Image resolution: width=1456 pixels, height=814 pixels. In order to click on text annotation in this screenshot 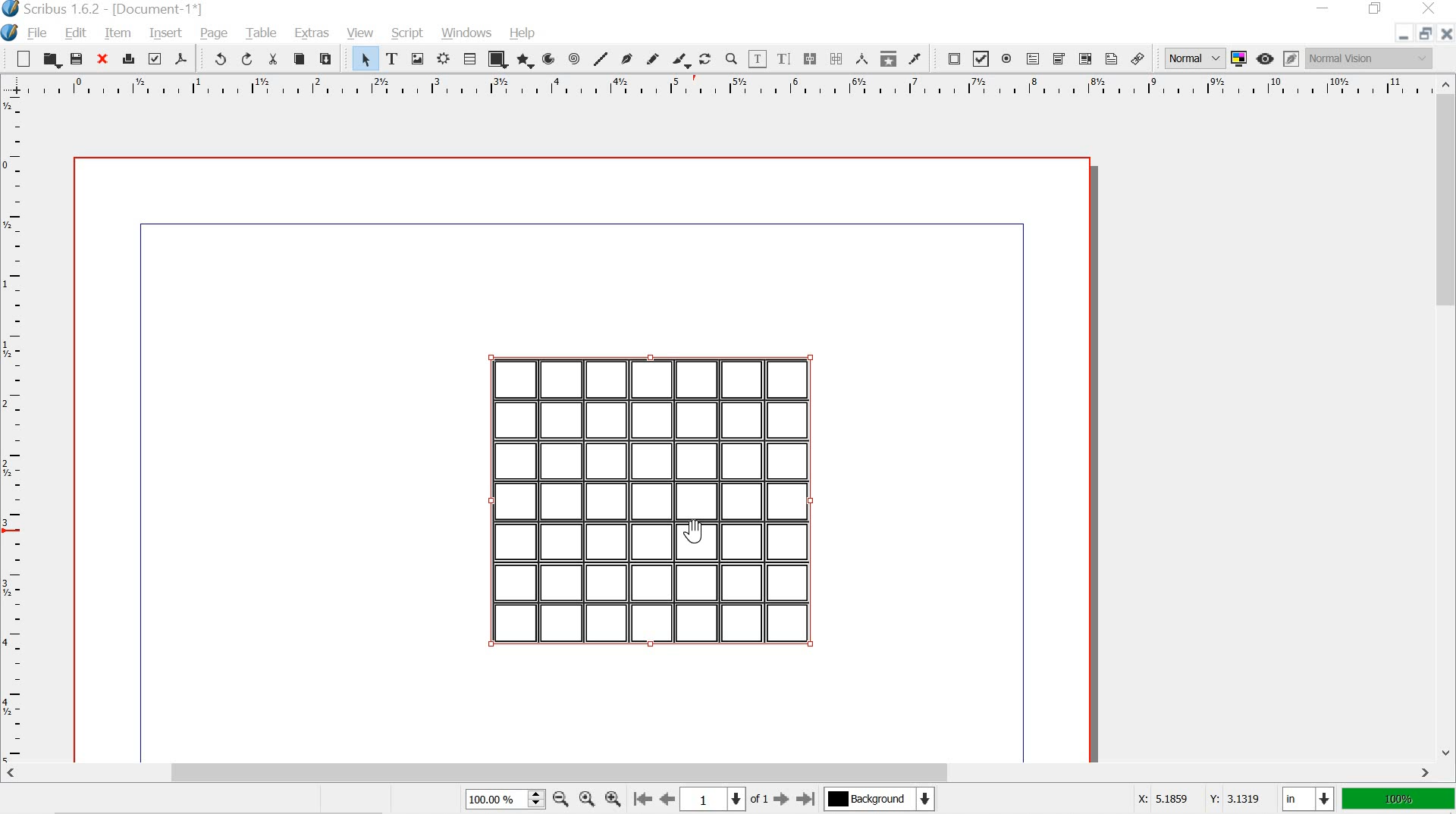, I will do `click(1112, 58)`.